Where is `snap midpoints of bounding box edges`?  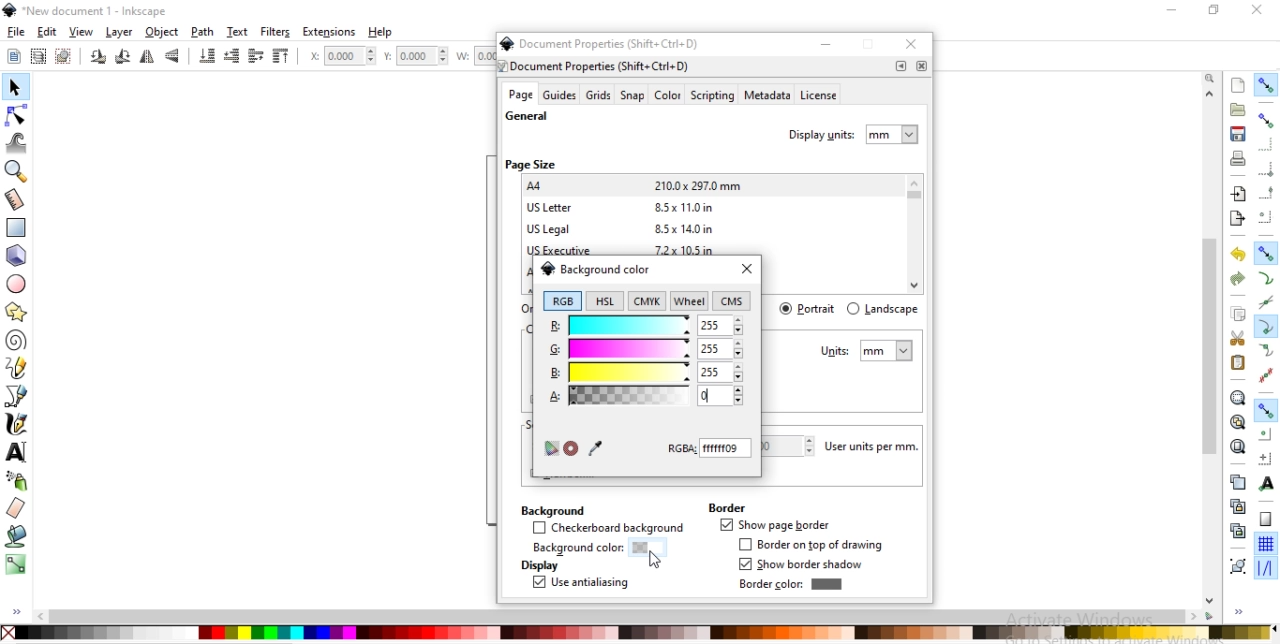 snap midpoints of bounding box edges is located at coordinates (1267, 193).